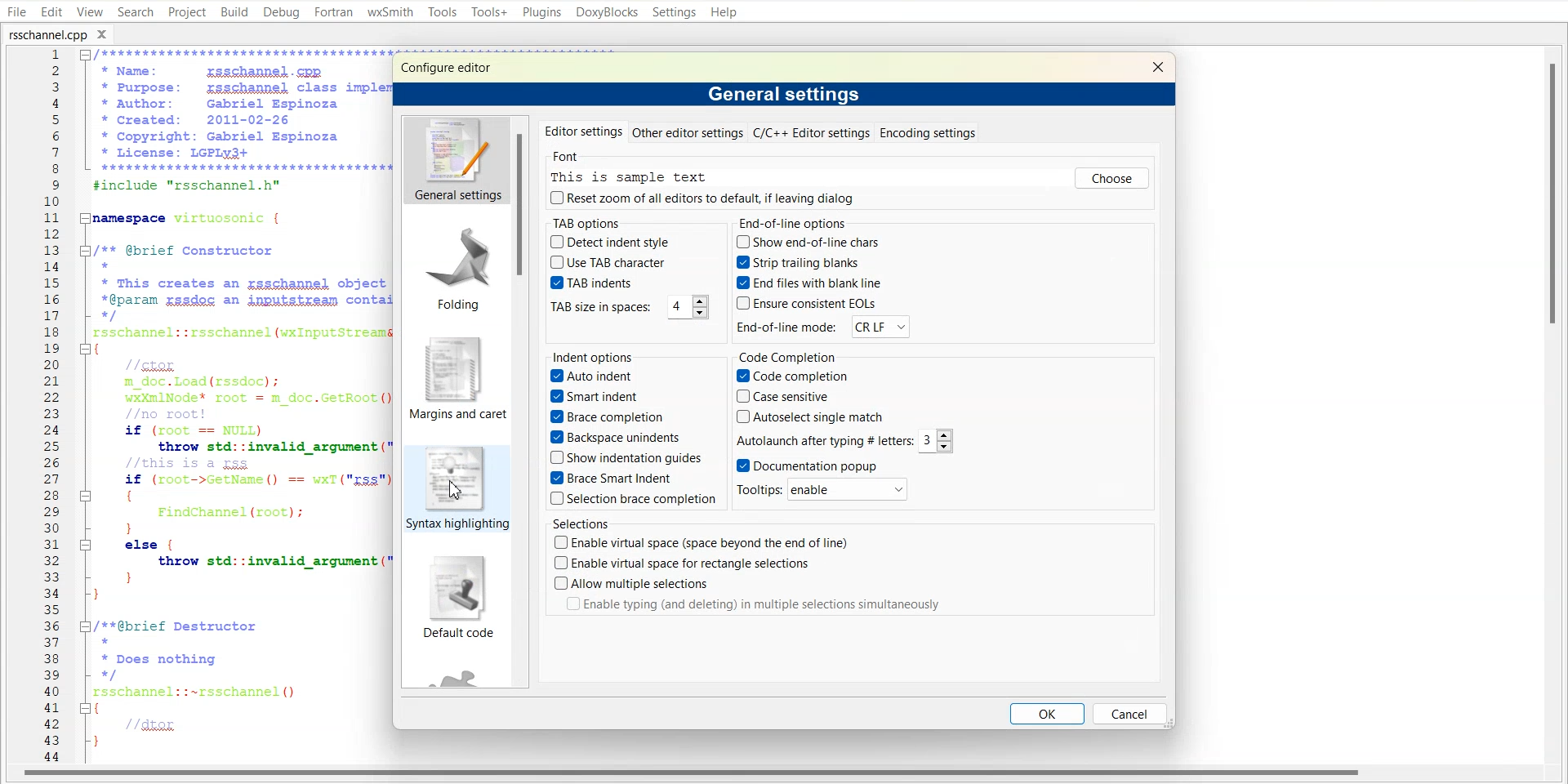 This screenshot has height=784, width=1568. I want to click on show end-of-line charts, so click(809, 241).